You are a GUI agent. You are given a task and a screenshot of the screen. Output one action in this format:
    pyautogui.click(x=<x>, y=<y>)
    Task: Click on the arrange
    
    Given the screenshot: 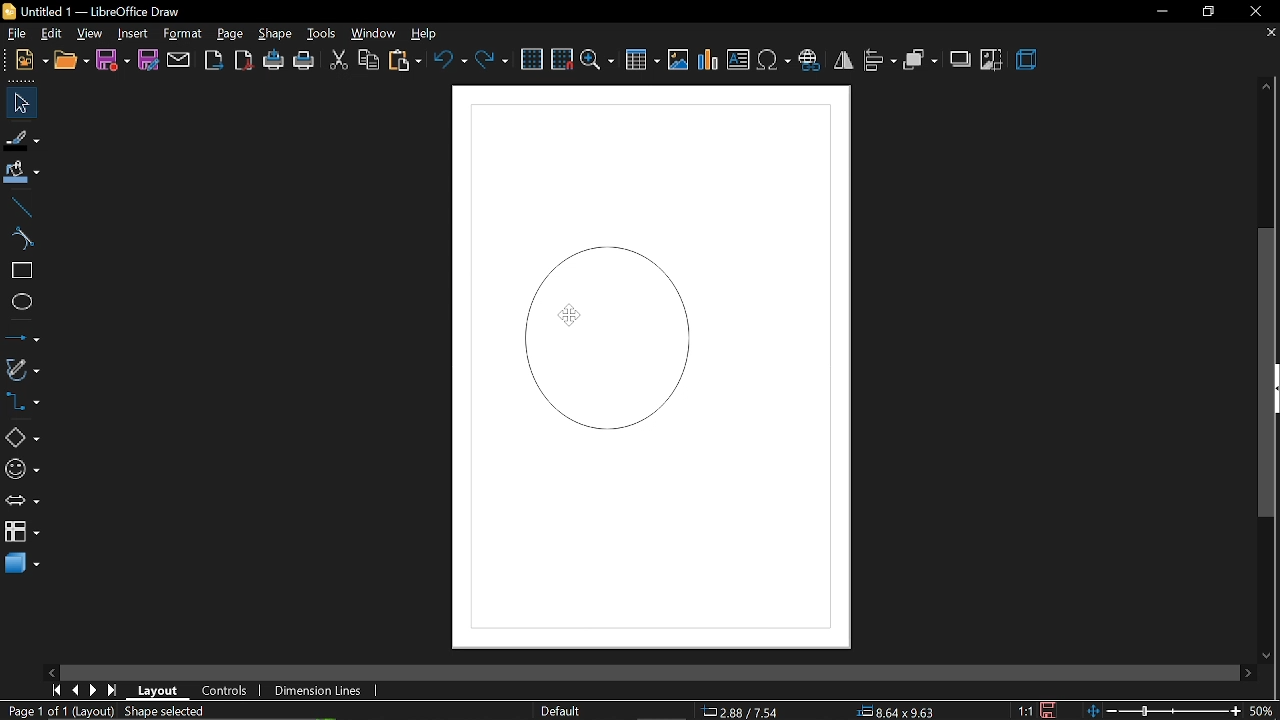 What is the action you would take?
    pyautogui.click(x=921, y=59)
    